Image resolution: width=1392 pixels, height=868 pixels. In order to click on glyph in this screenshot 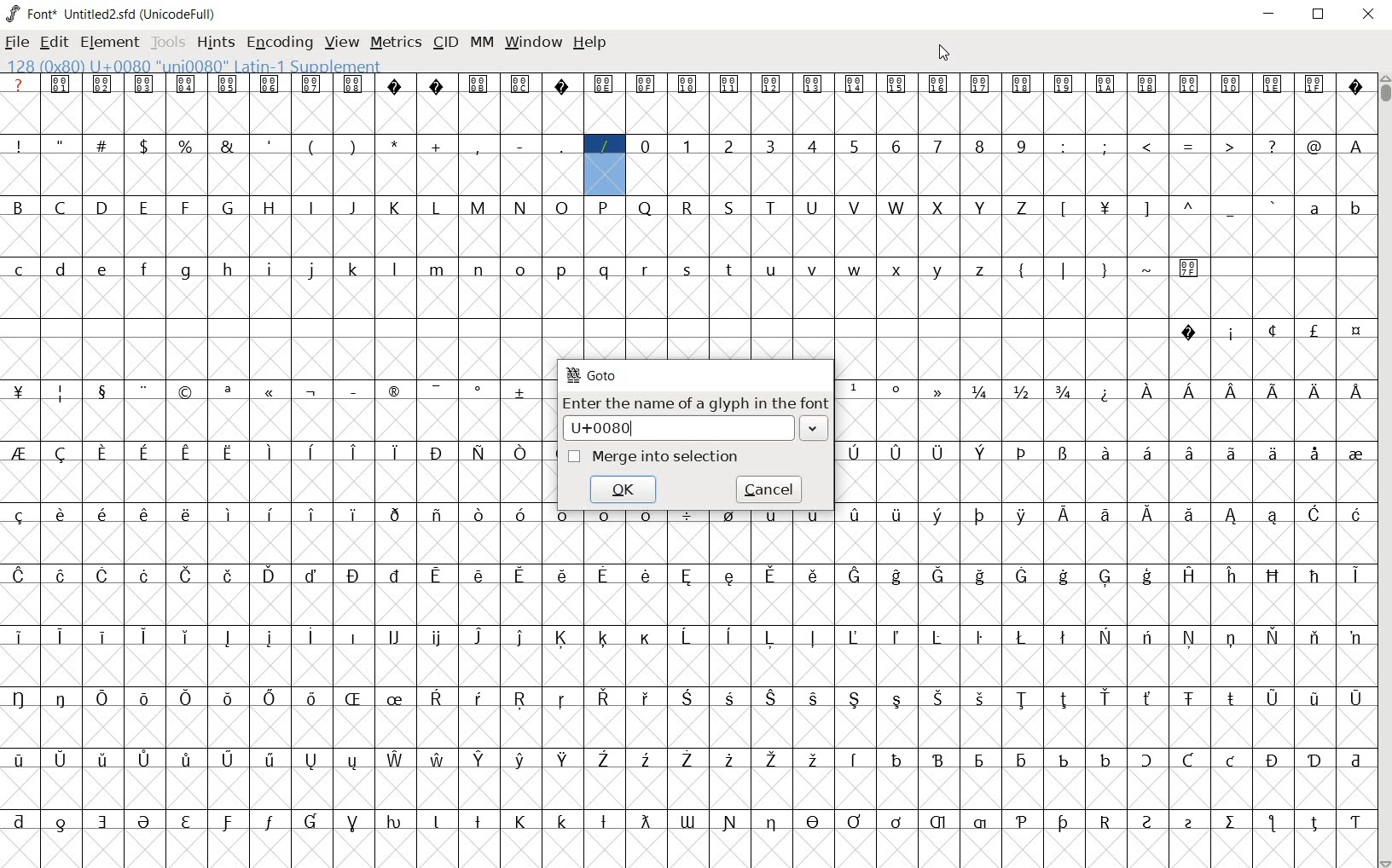, I will do `click(1188, 333)`.